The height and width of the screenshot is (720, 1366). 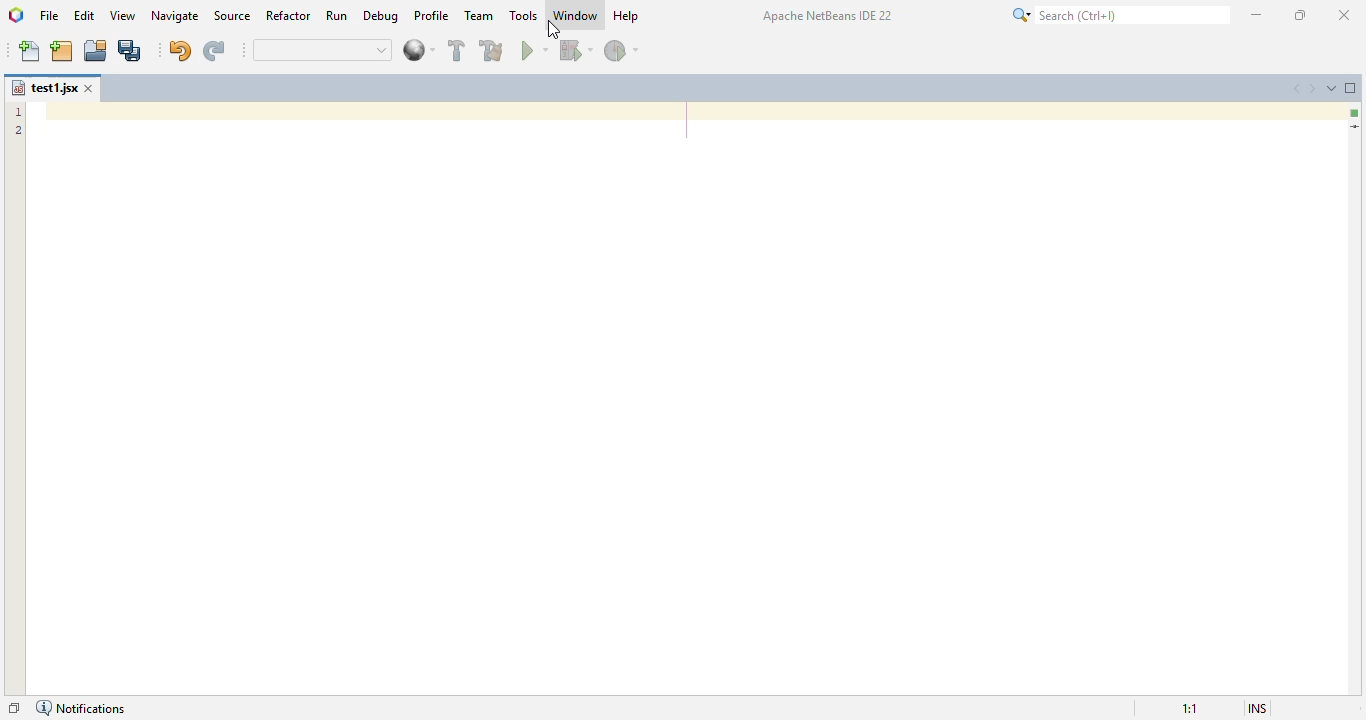 What do you see at coordinates (1118, 15) in the screenshot?
I see `search (ctrl+l)` at bounding box center [1118, 15].